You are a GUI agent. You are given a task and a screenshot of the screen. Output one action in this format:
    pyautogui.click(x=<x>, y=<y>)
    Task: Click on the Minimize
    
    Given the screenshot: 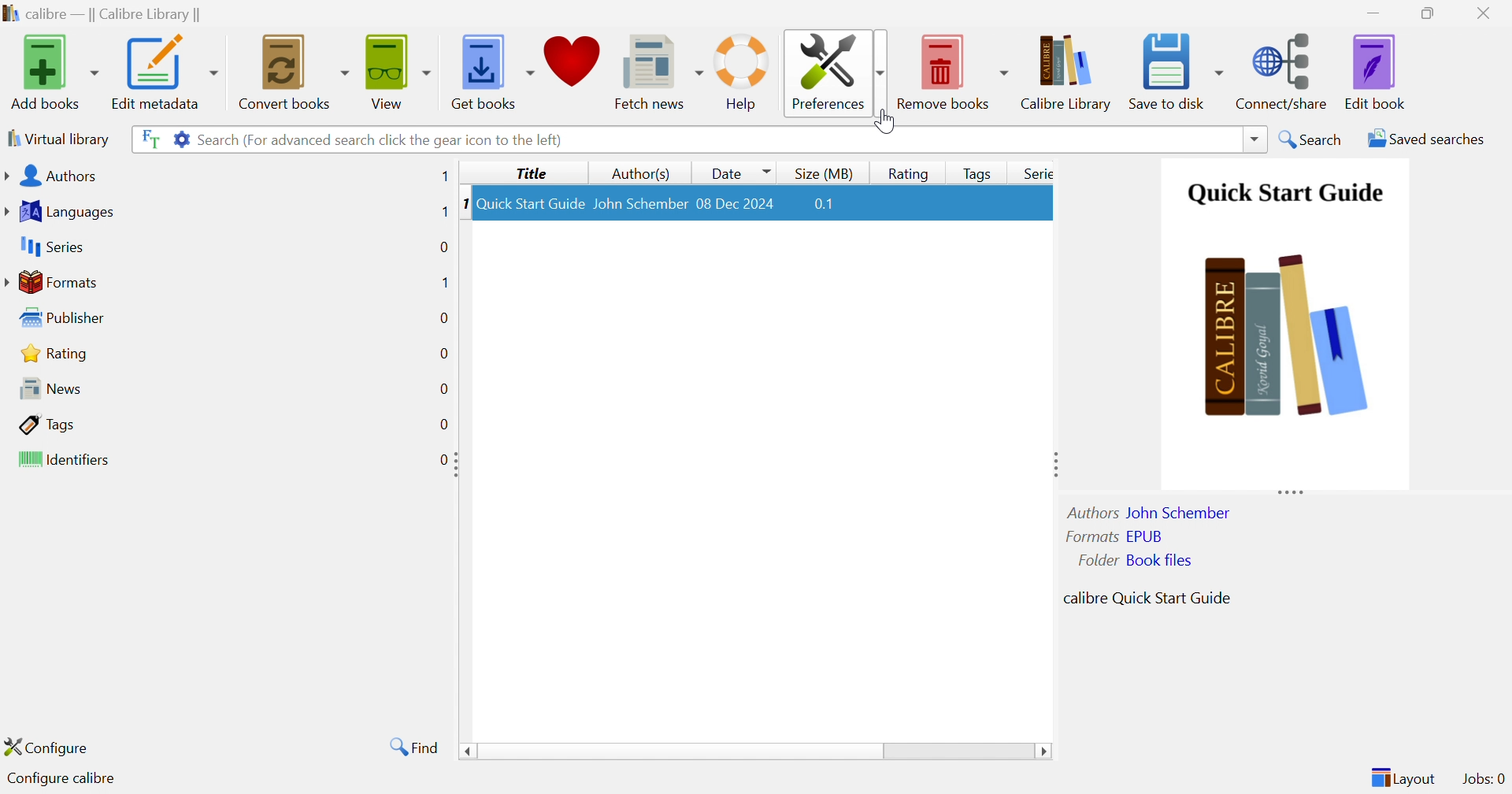 What is the action you would take?
    pyautogui.click(x=1373, y=12)
    